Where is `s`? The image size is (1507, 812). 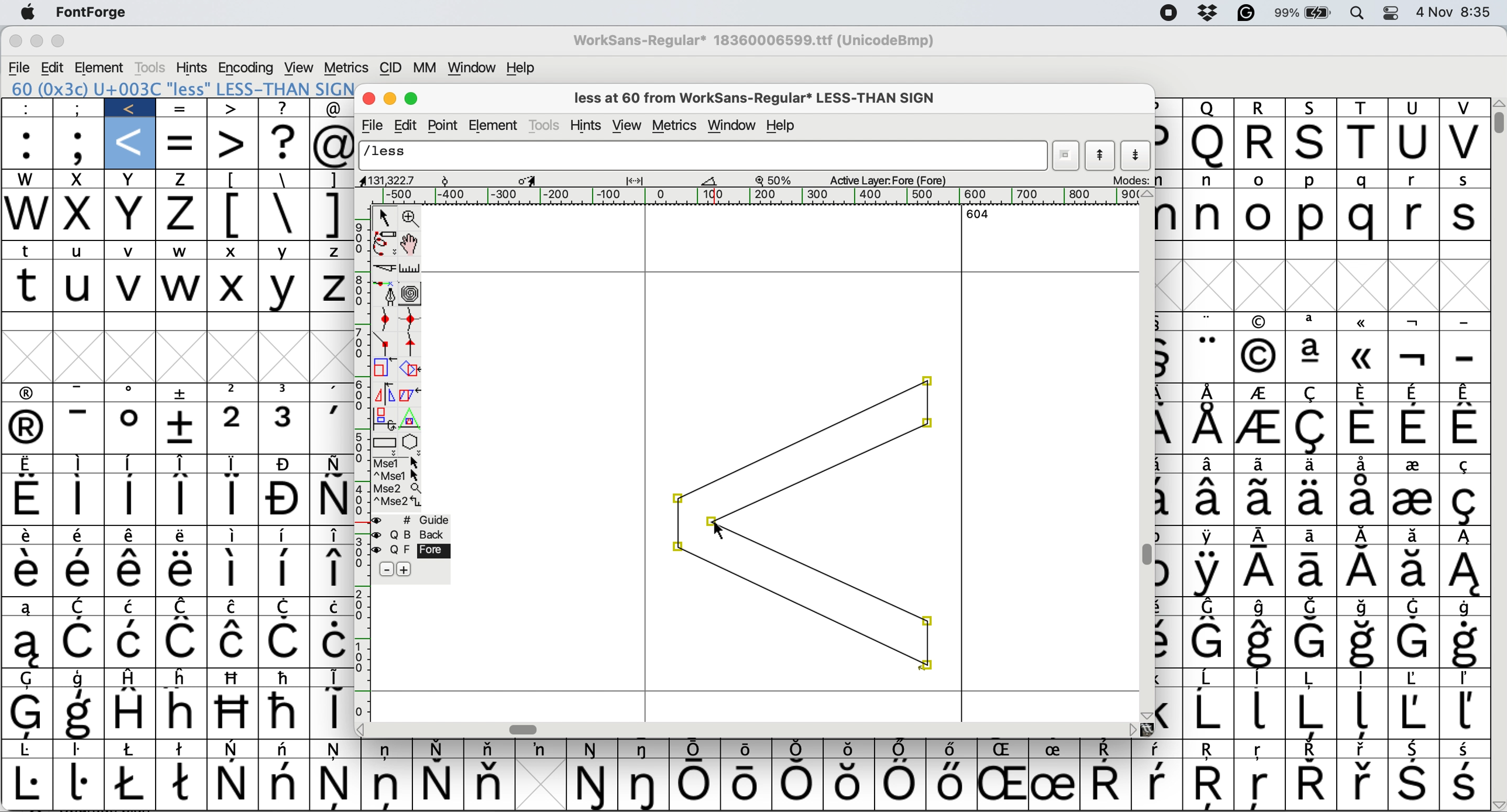
s is located at coordinates (1313, 108).